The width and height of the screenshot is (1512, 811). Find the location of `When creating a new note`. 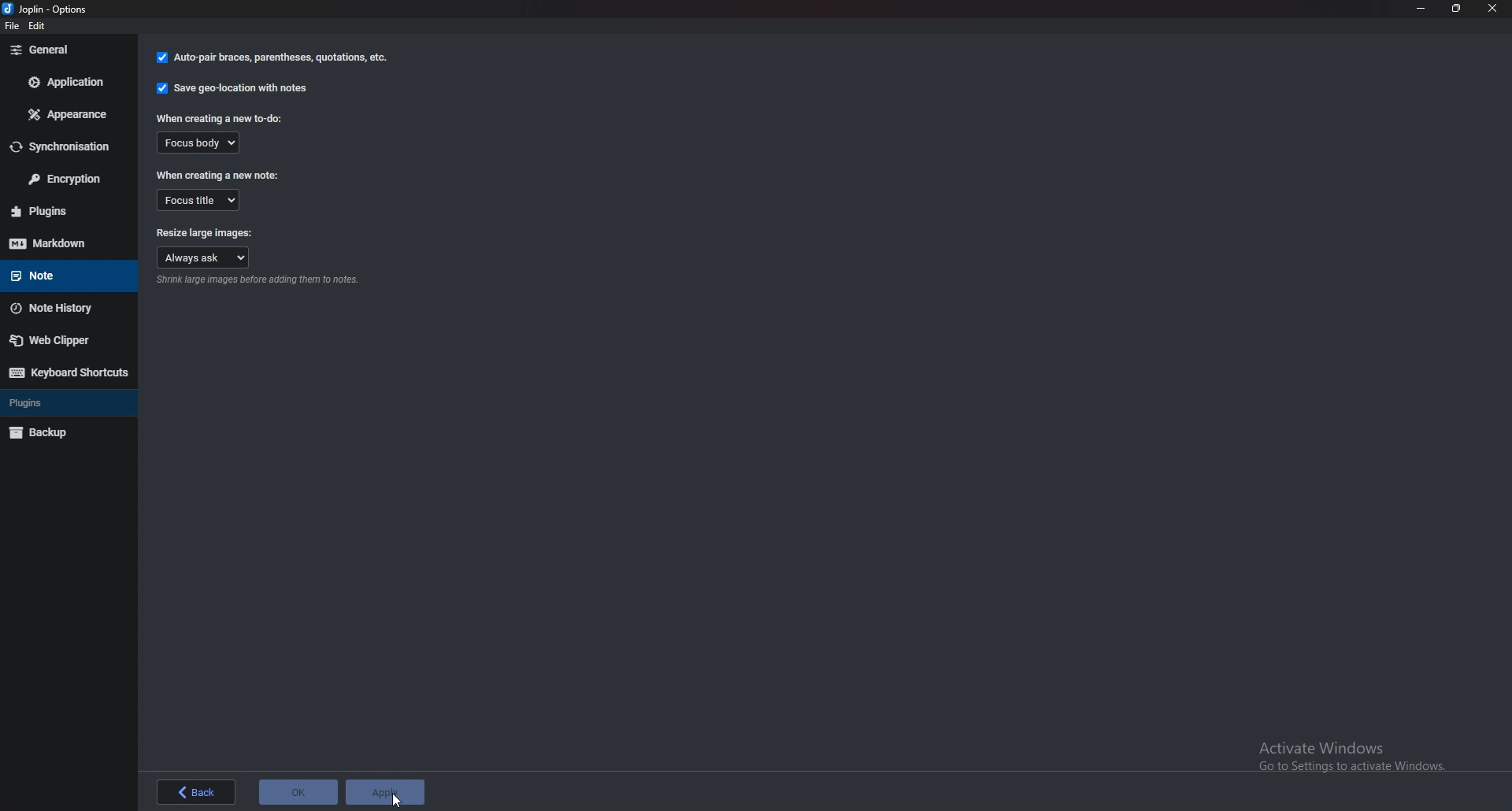

When creating a new note is located at coordinates (217, 176).